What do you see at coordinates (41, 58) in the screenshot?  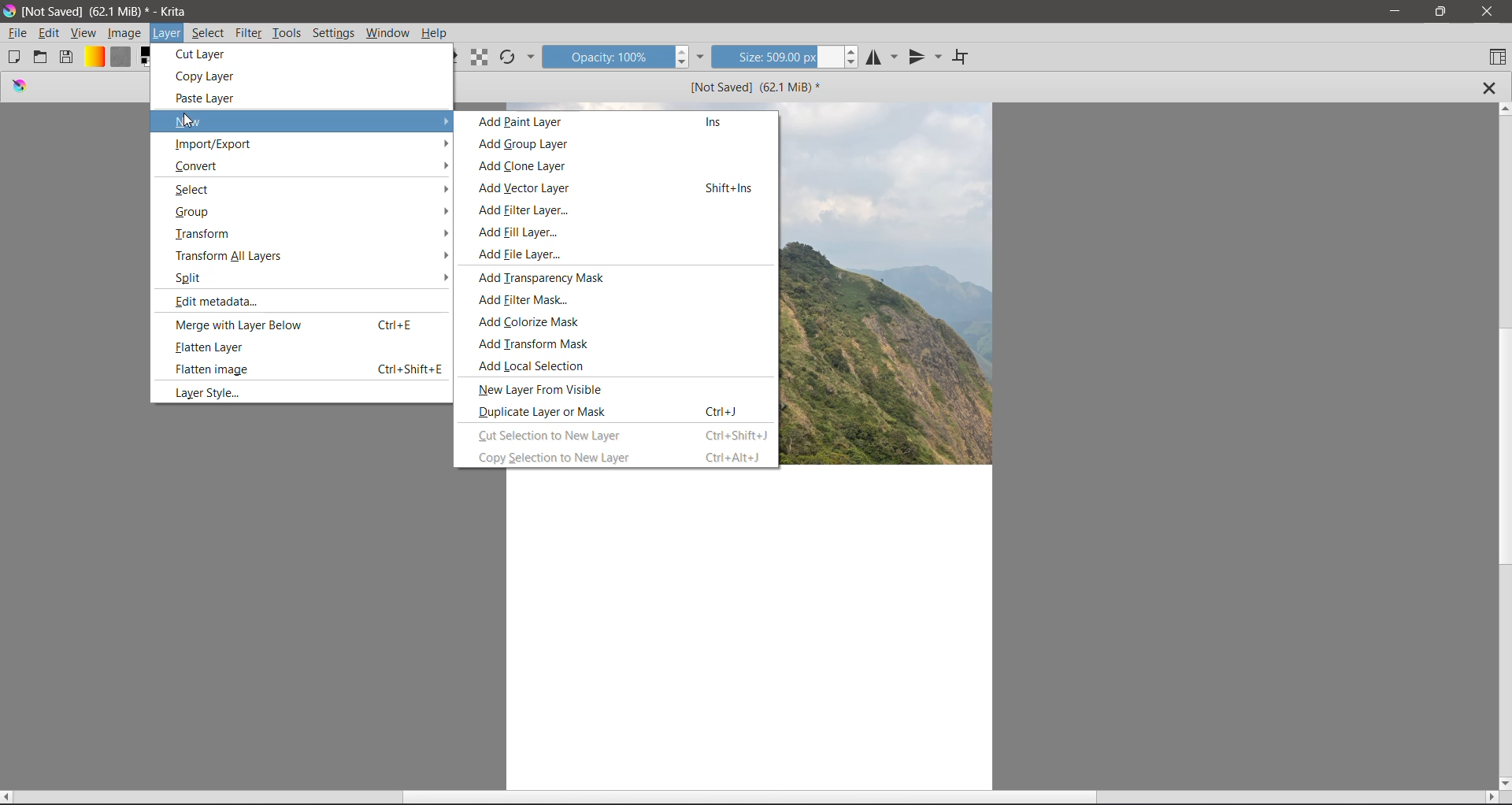 I see `Open an existing Document` at bounding box center [41, 58].